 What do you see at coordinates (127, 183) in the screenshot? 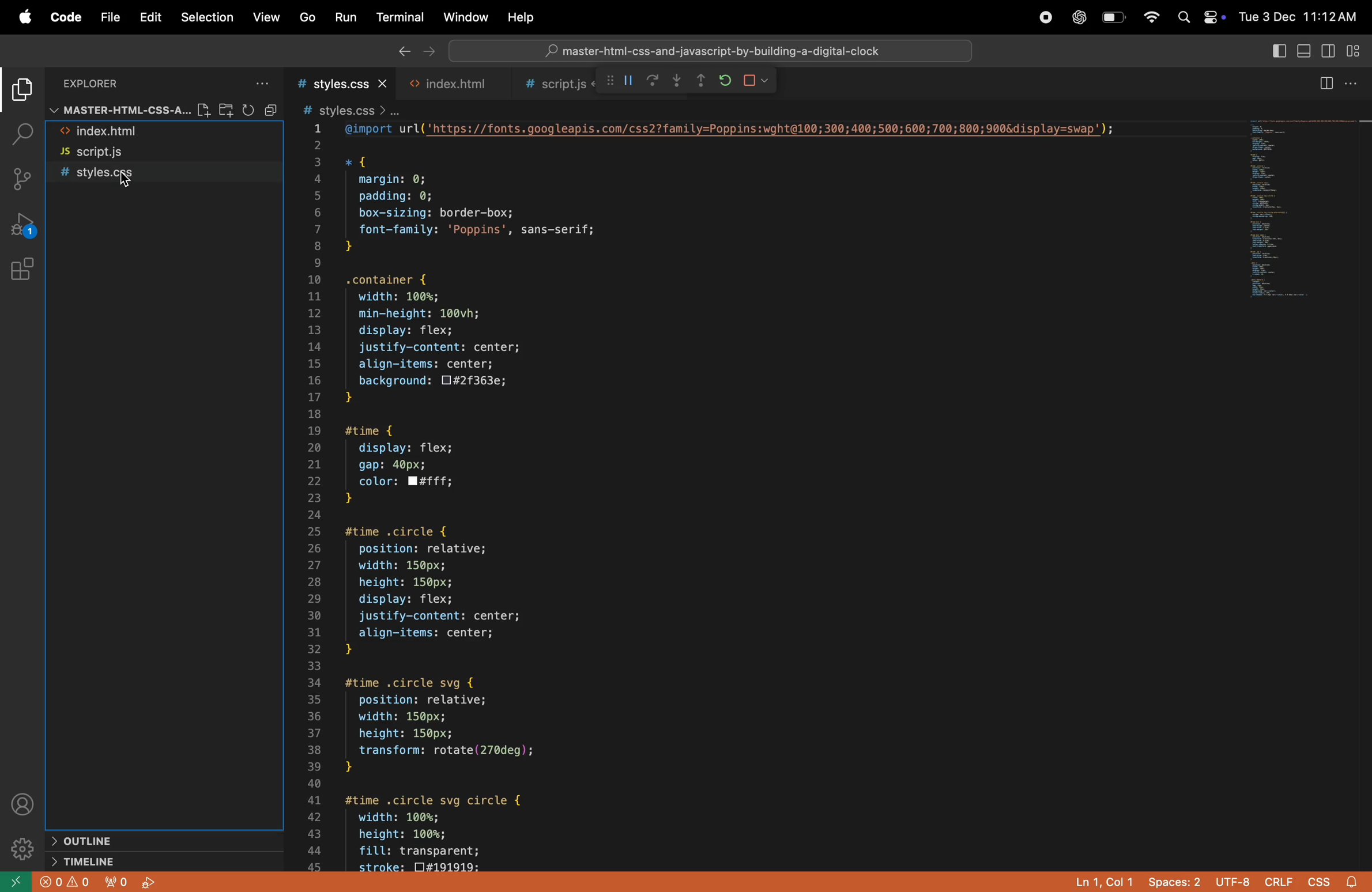
I see `Cursor` at bounding box center [127, 183].